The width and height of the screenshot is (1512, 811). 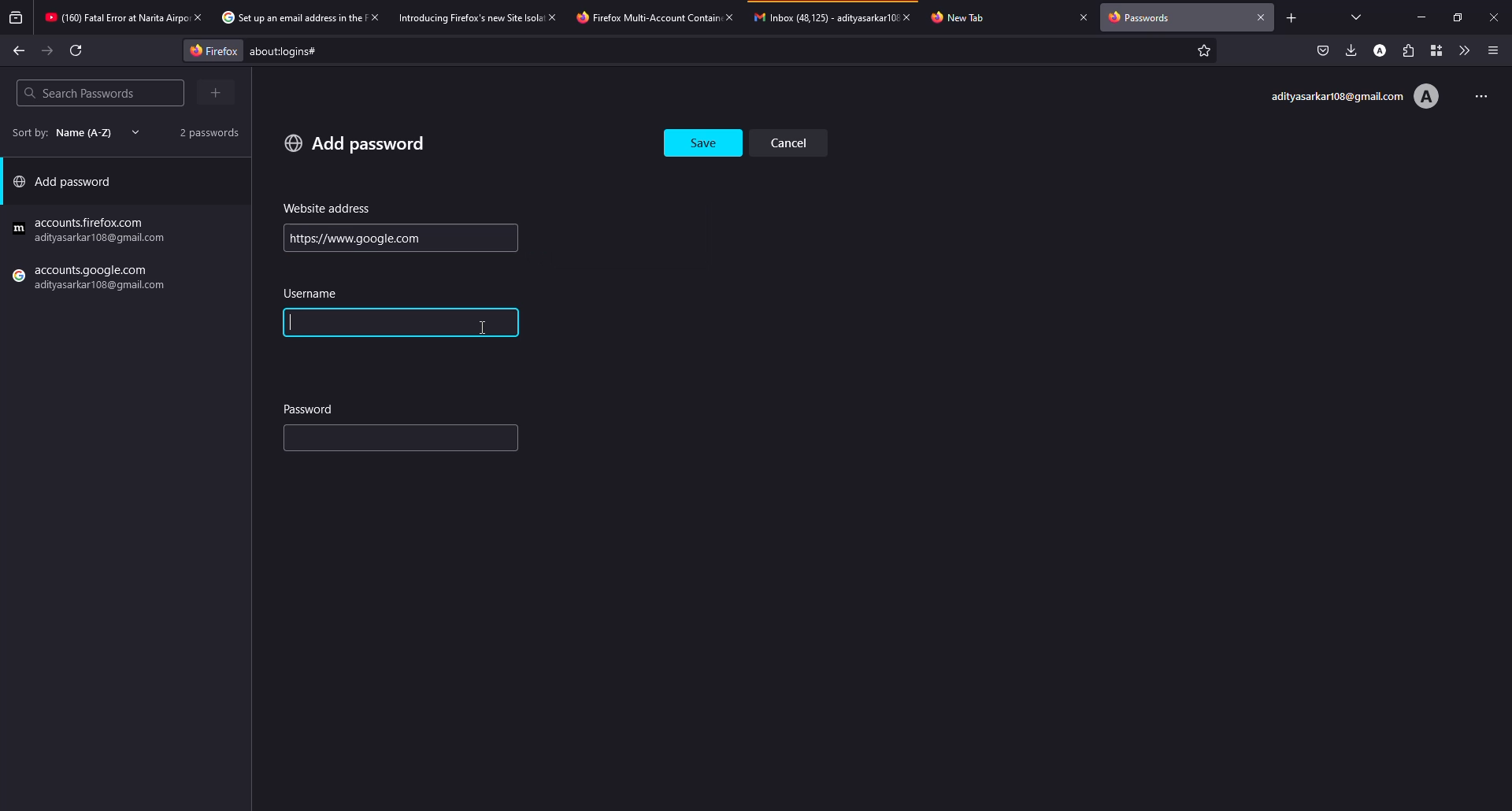 I want to click on downloads, so click(x=1351, y=50).